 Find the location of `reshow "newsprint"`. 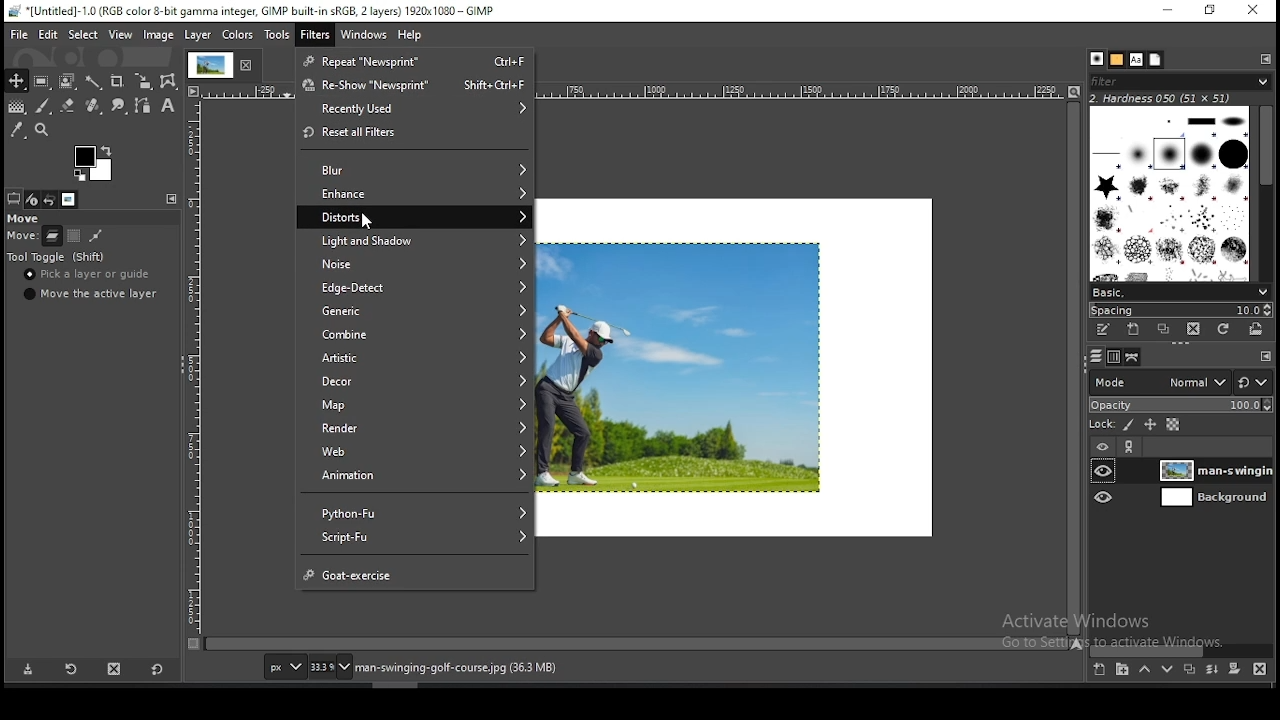

reshow "newsprint" is located at coordinates (418, 86).